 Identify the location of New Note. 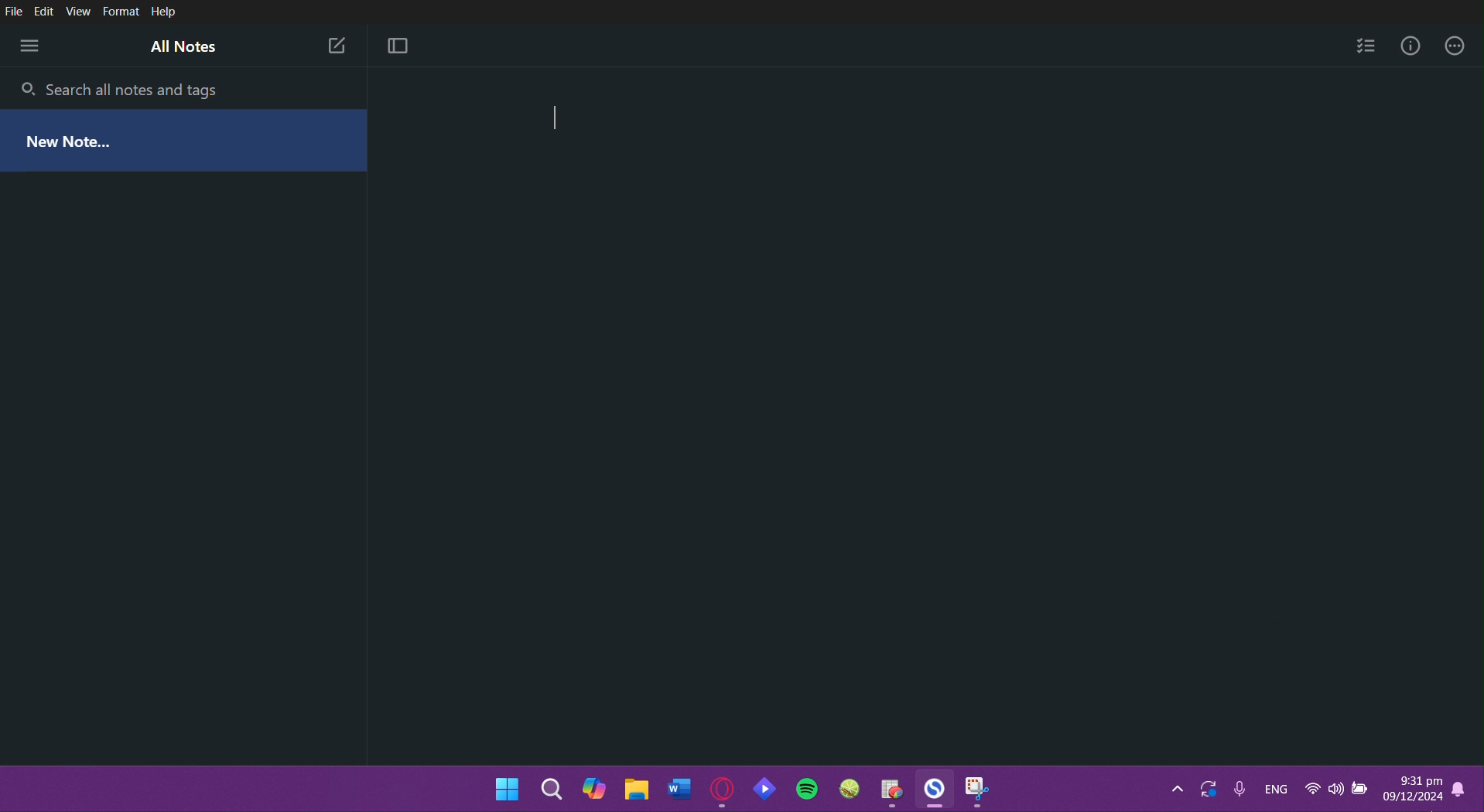
(74, 138).